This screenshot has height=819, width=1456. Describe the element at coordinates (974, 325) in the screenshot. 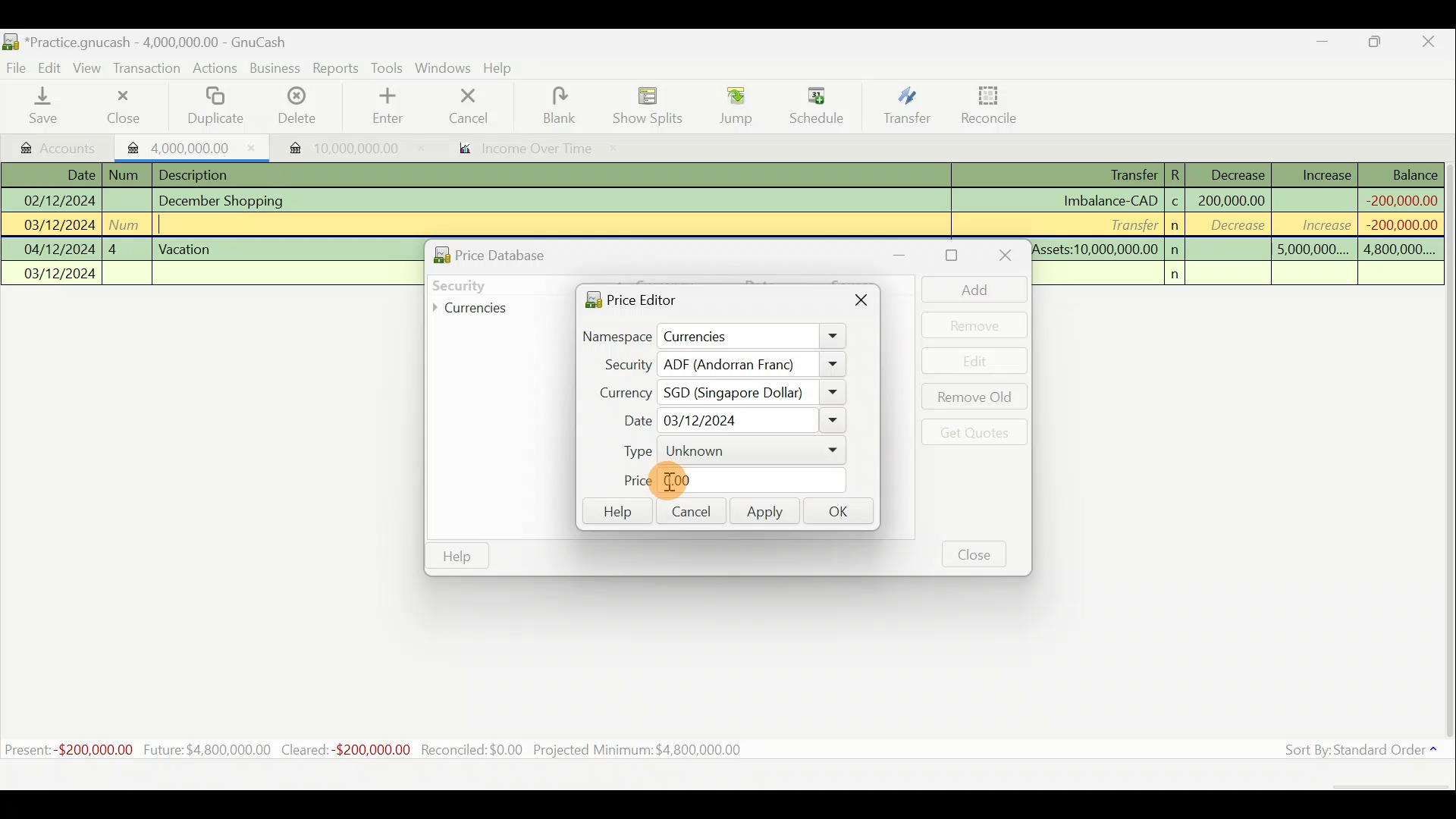

I see `Remove` at that location.